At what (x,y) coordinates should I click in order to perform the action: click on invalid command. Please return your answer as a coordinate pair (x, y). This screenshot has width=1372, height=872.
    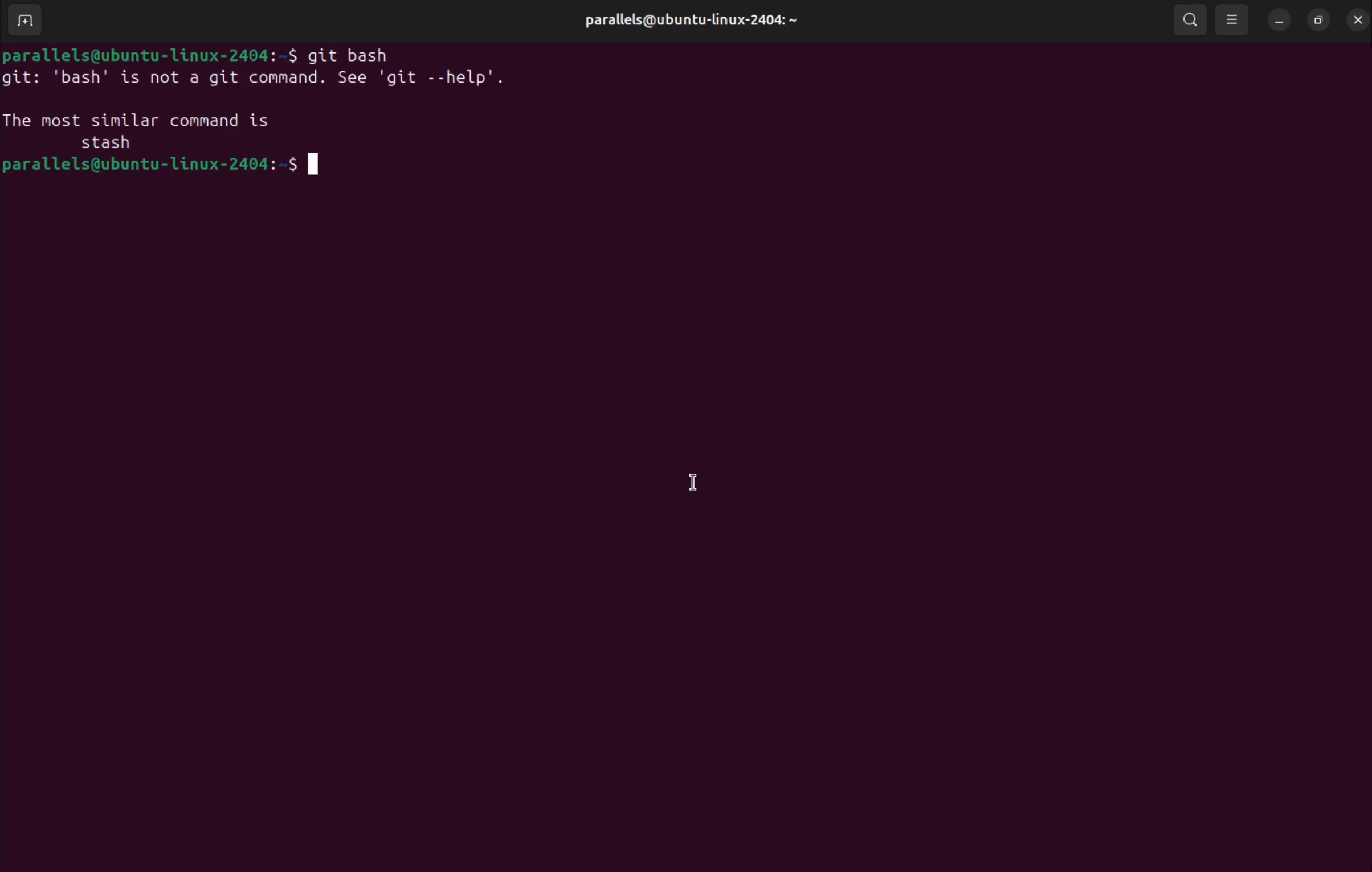
    Looking at the image, I should click on (265, 109).